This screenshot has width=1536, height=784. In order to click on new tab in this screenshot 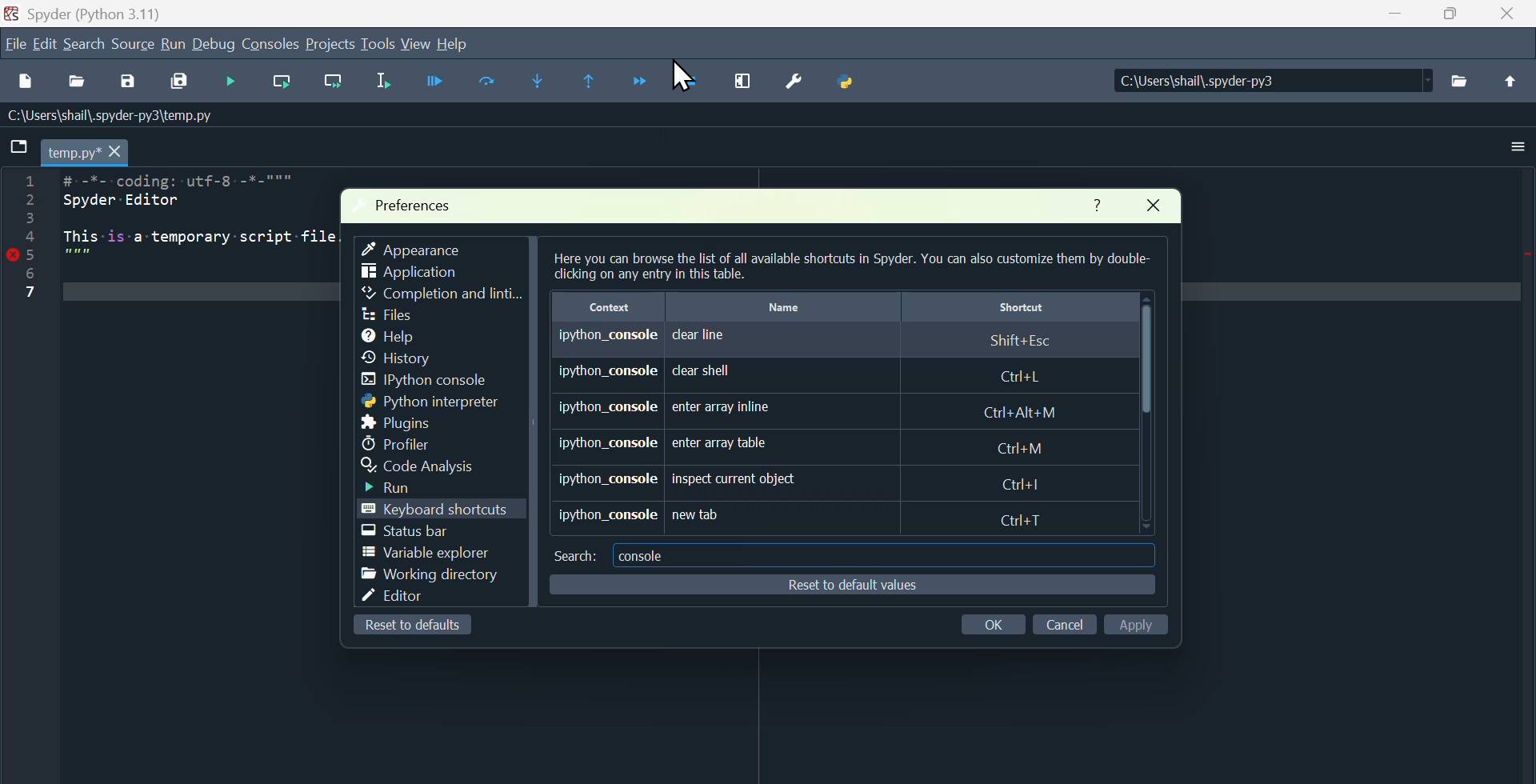, I will do `click(803, 518)`.